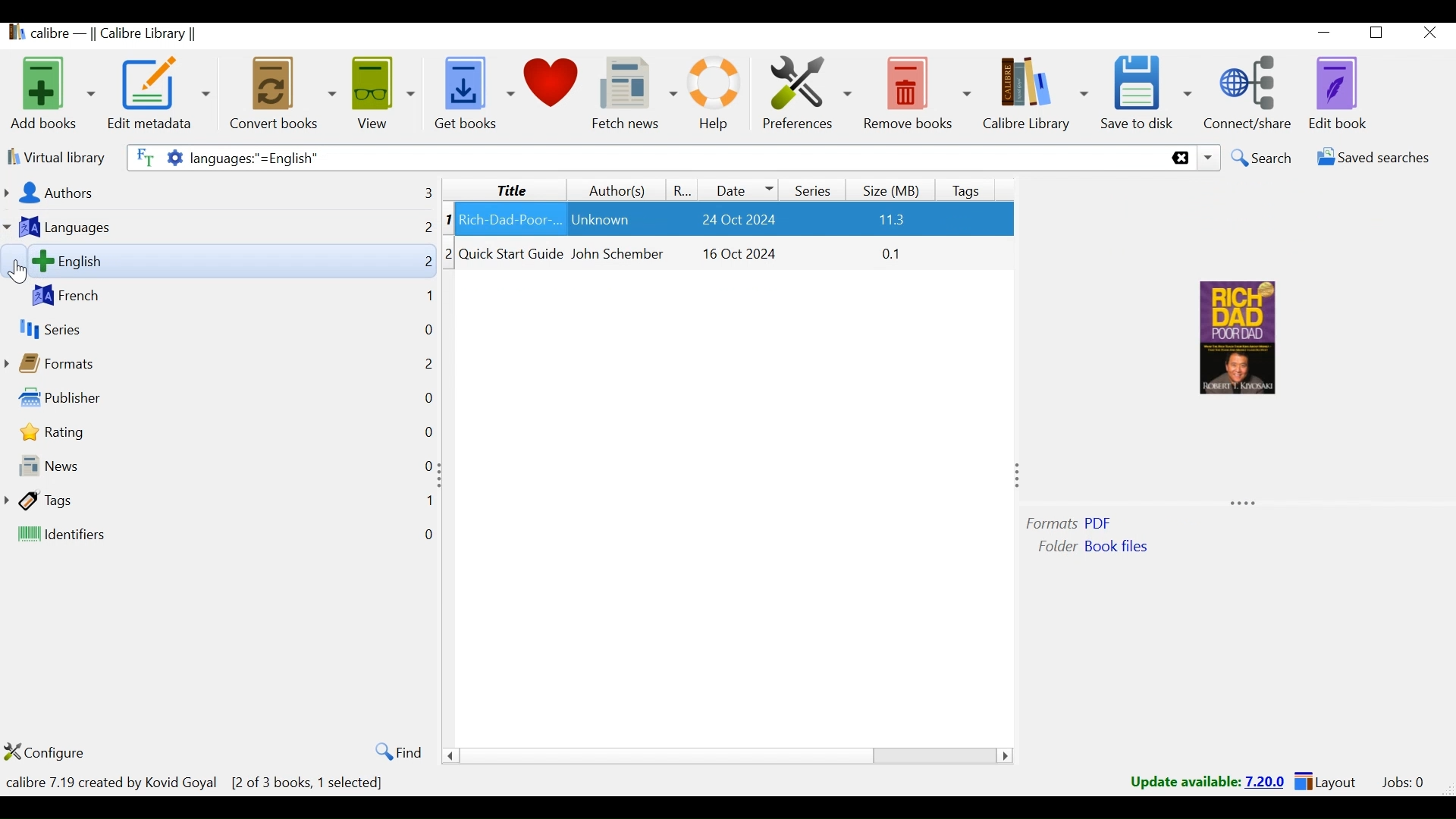  I want to click on Edit book, so click(1341, 93).